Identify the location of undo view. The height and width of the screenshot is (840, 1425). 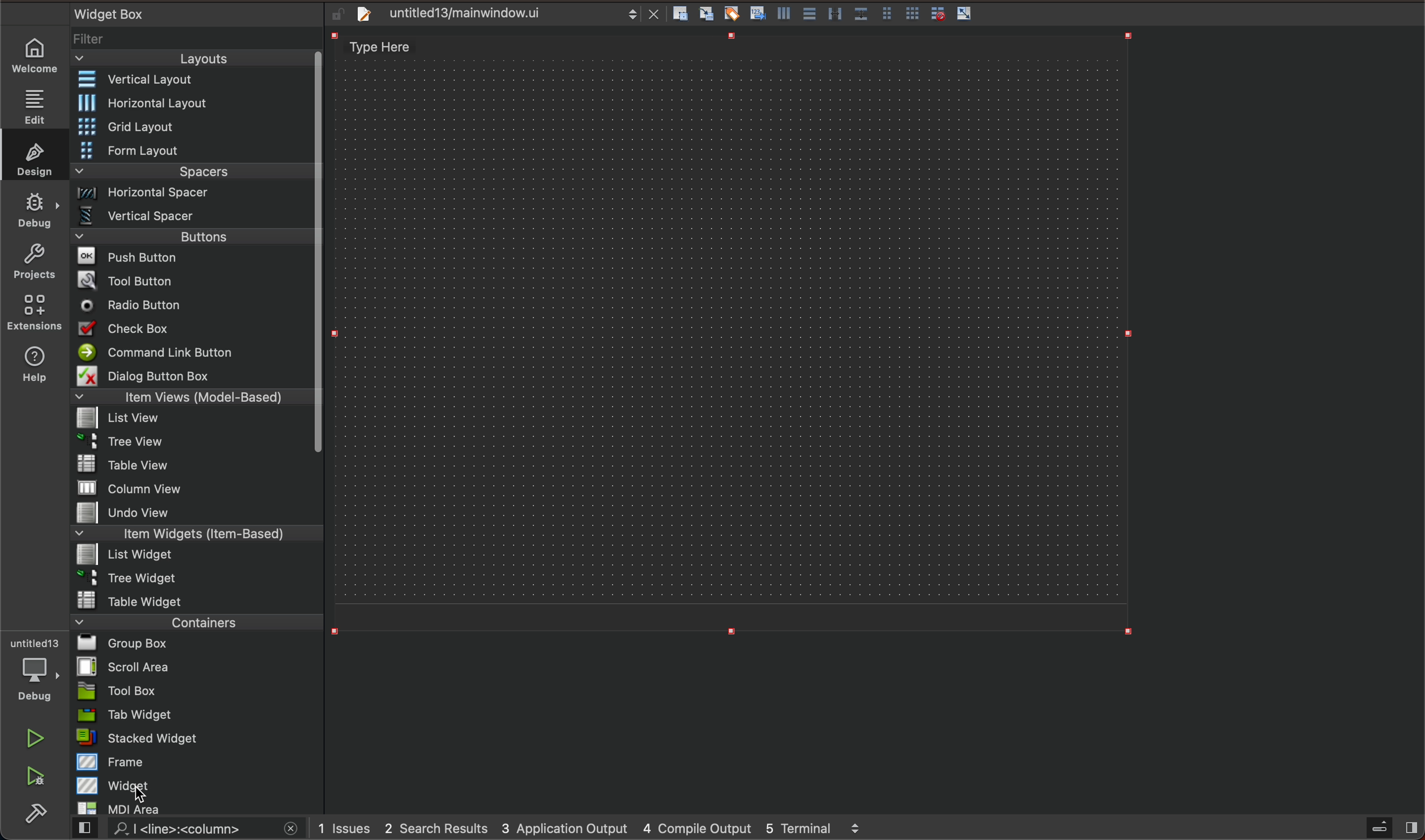
(192, 513).